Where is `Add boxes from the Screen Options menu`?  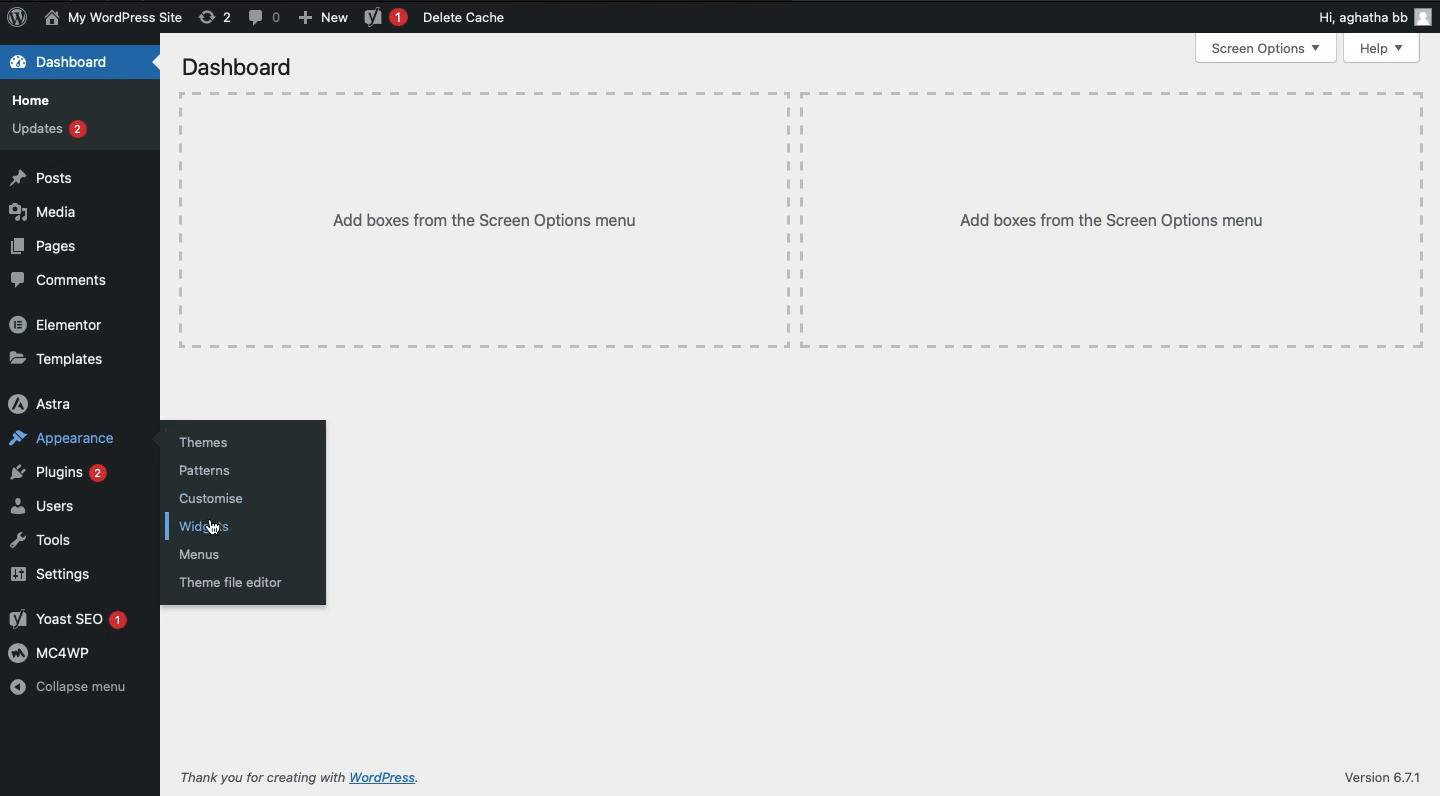
Add boxes from the Screen Options menu is located at coordinates (1117, 226).